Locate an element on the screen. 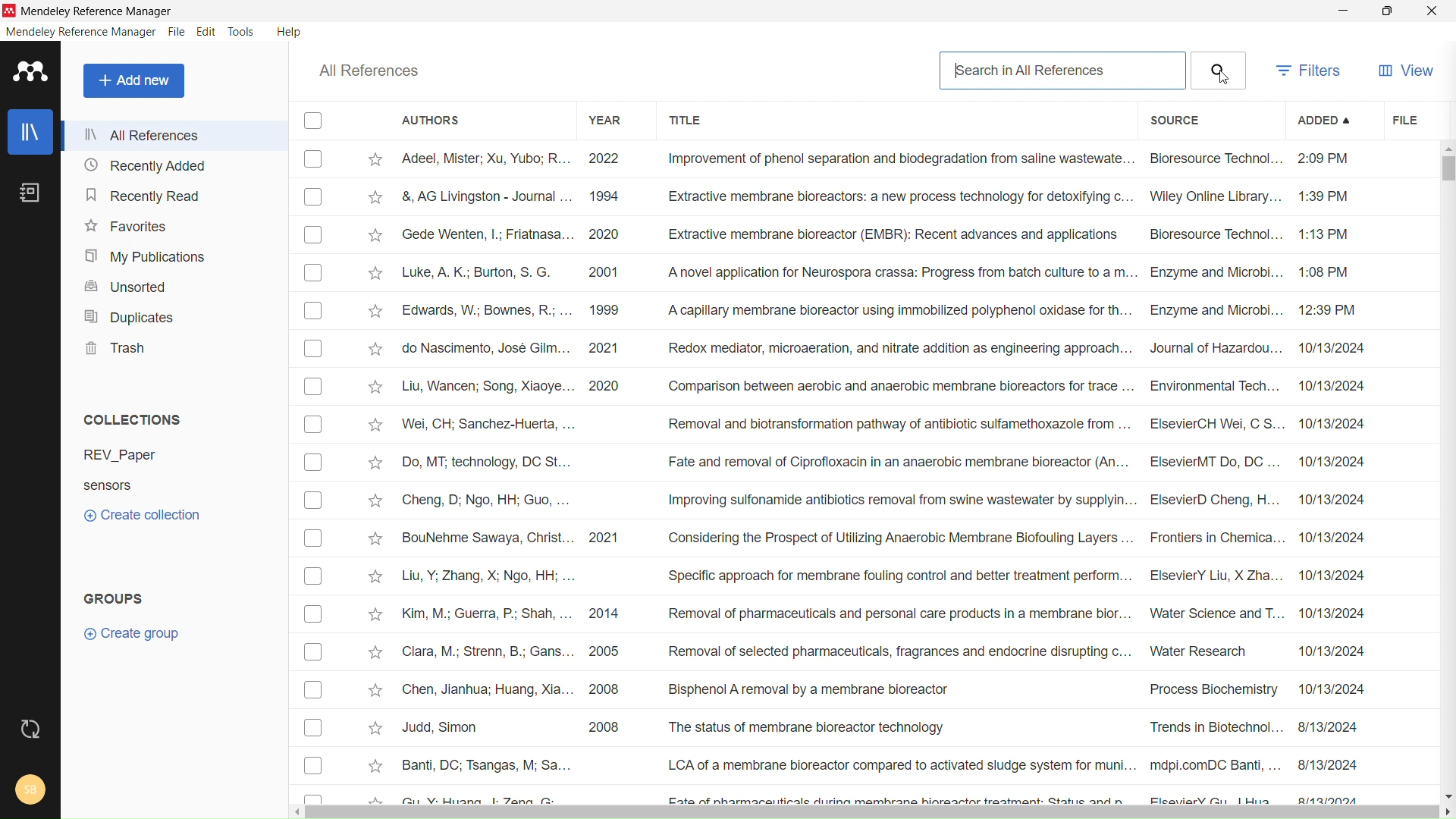 Image resolution: width=1456 pixels, height=819 pixels. account and help is located at coordinates (30, 789).